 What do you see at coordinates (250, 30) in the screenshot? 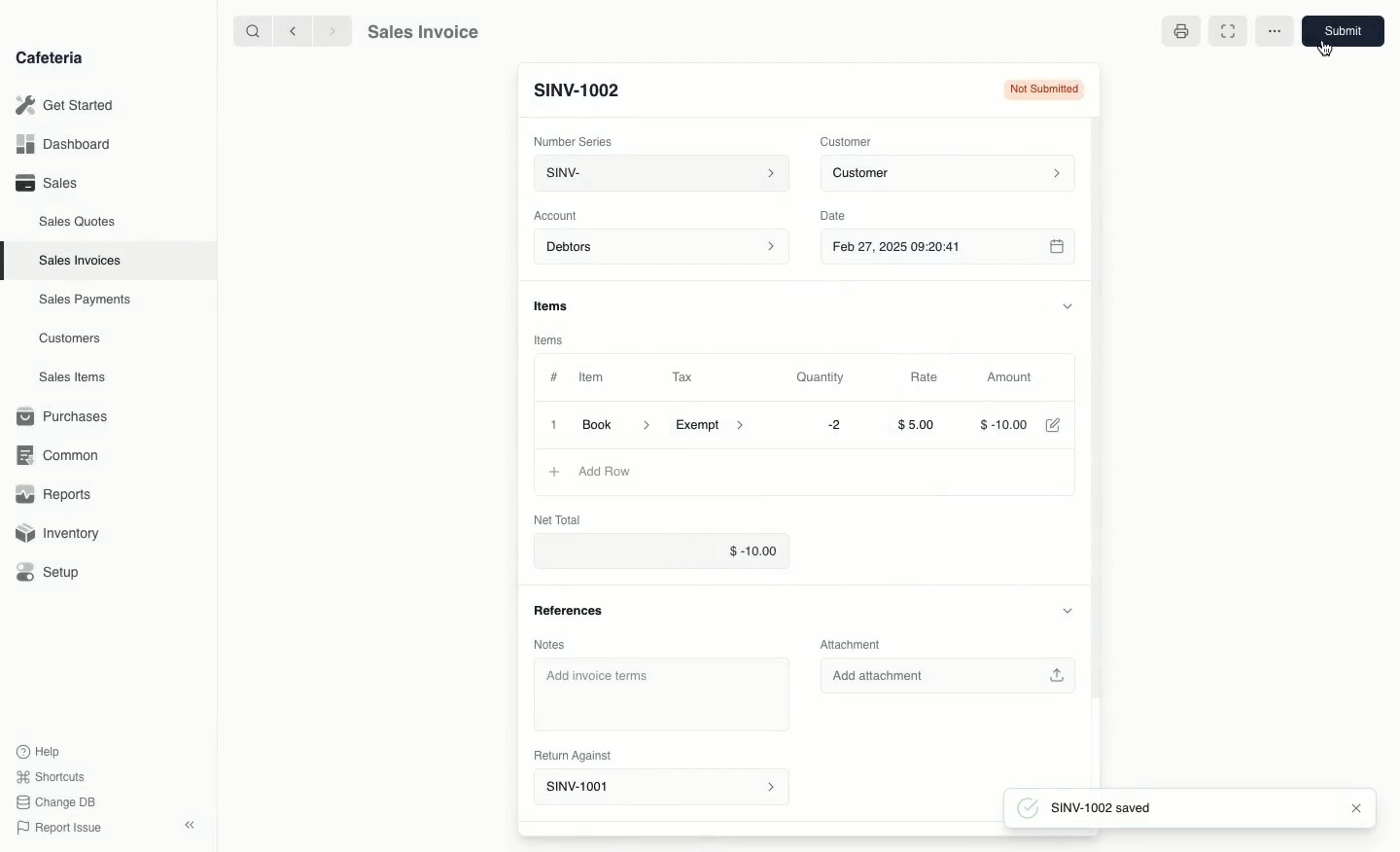
I see `search` at bounding box center [250, 30].